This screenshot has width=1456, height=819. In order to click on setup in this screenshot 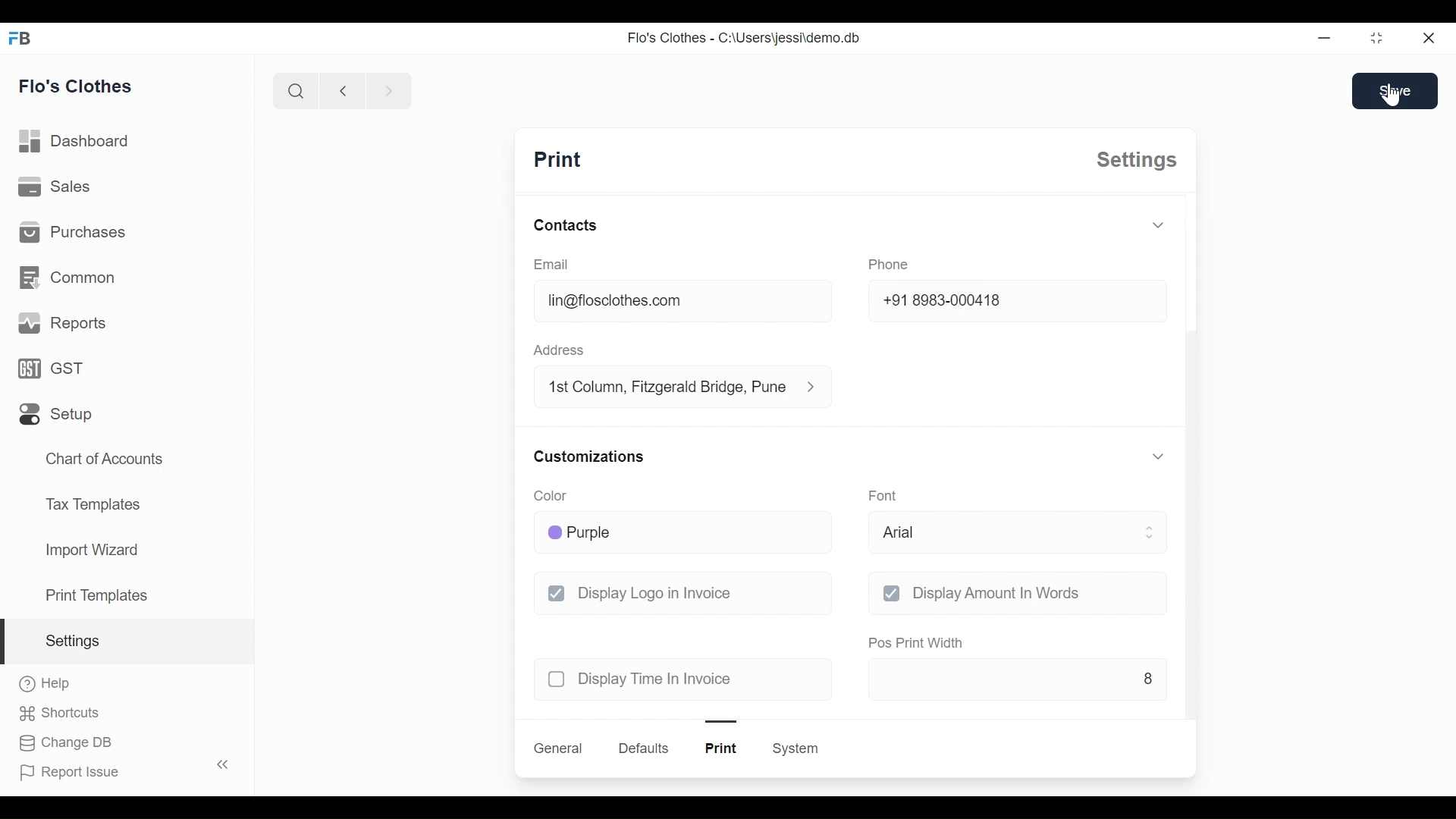, I will do `click(56, 415)`.